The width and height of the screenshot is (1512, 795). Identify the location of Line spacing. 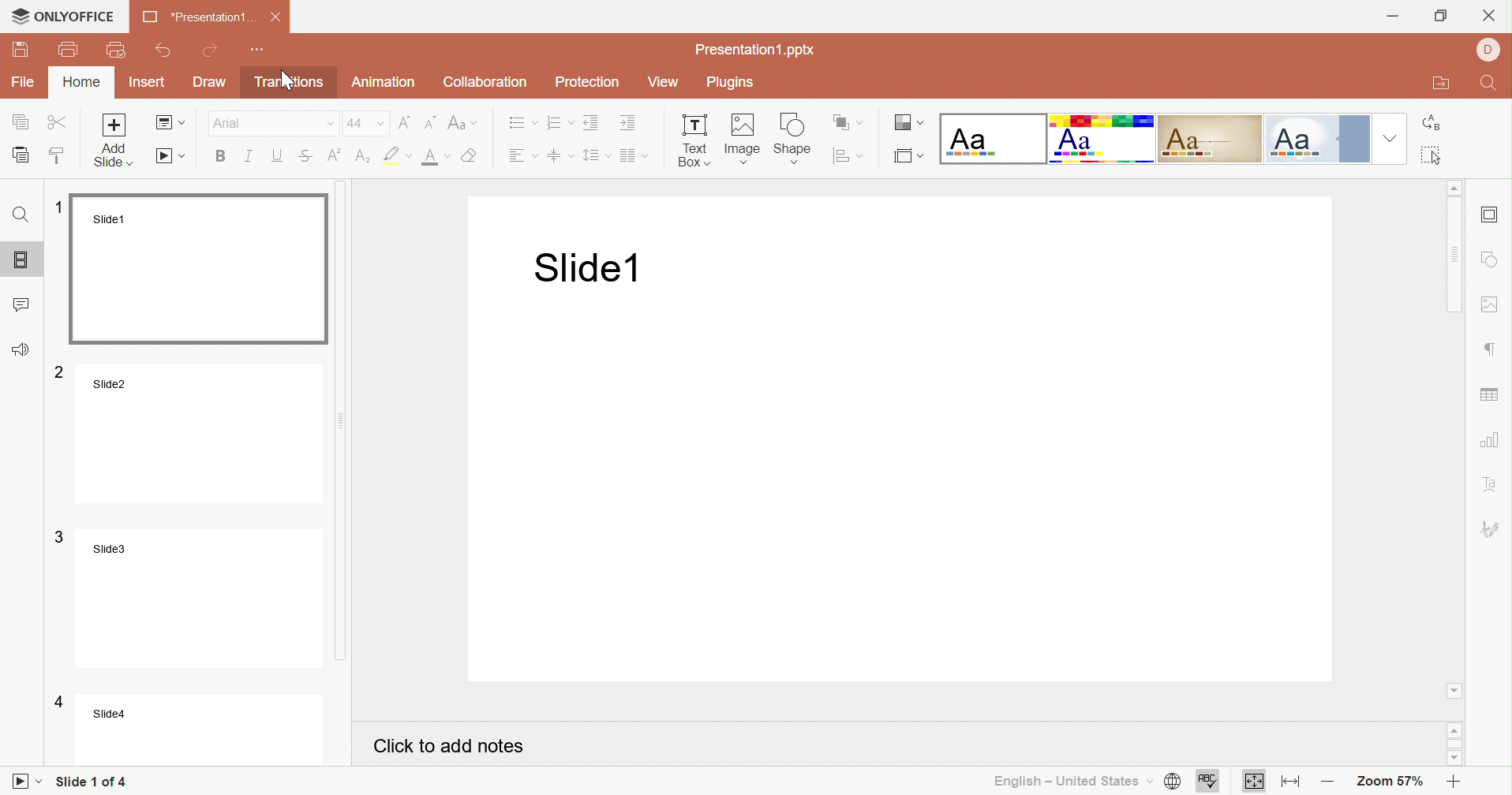
(597, 157).